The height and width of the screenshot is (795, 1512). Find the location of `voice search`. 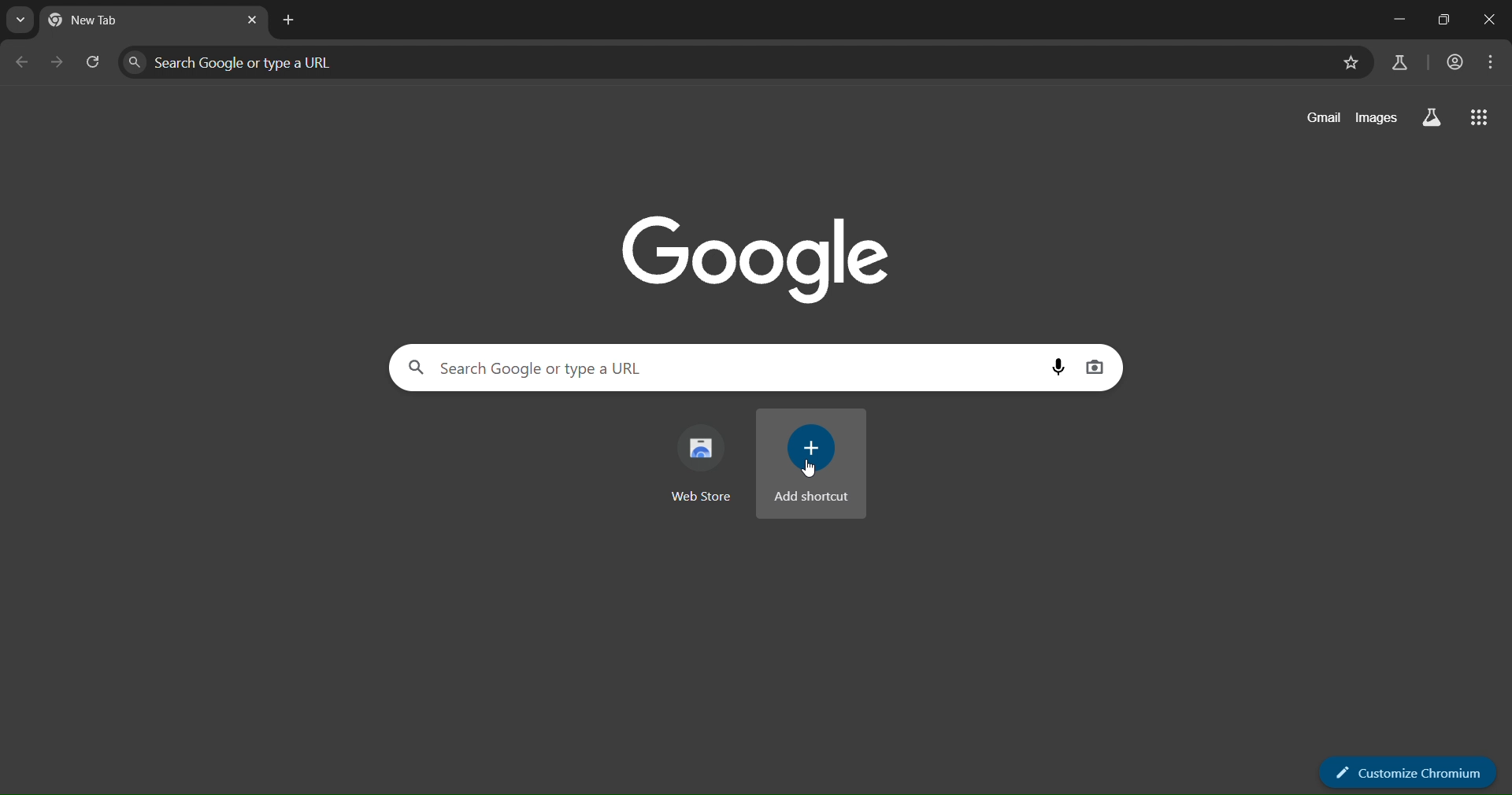

voice search is located at coordinates (1061, 366).